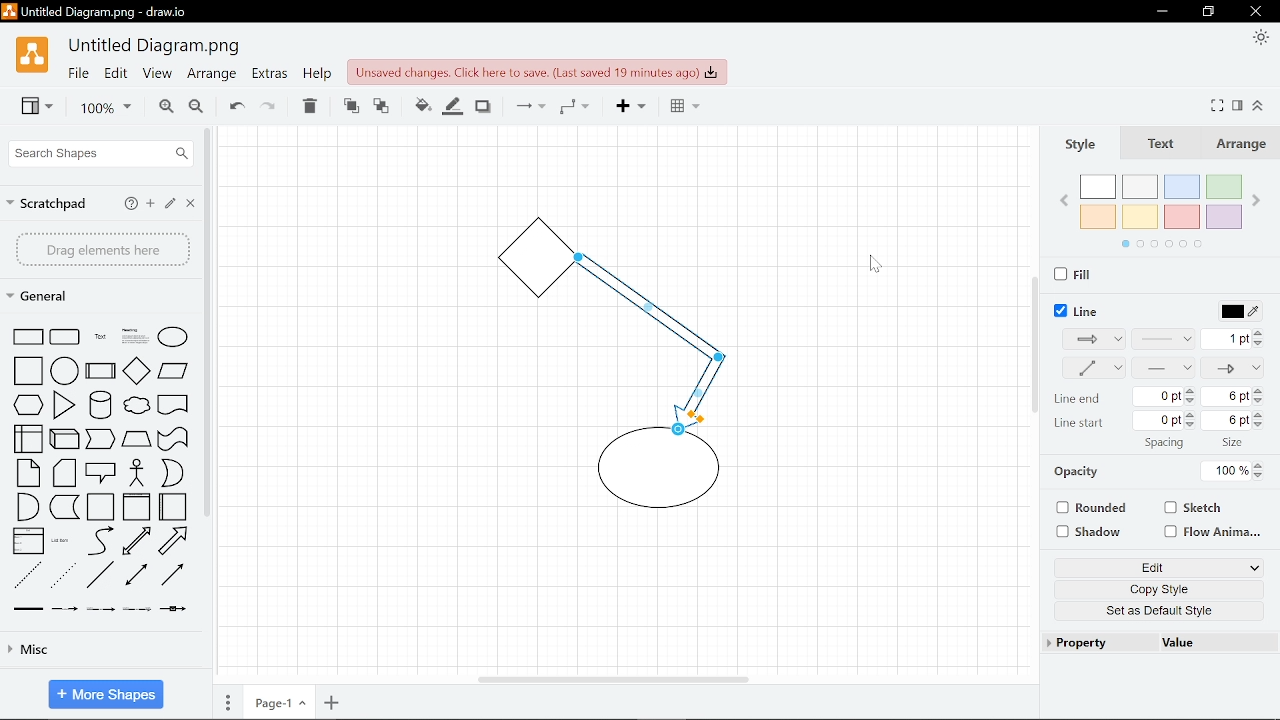  What do you see at coordinates (179, 541) in the screenshot?
I see `shape` at bounding box center [179, 541].